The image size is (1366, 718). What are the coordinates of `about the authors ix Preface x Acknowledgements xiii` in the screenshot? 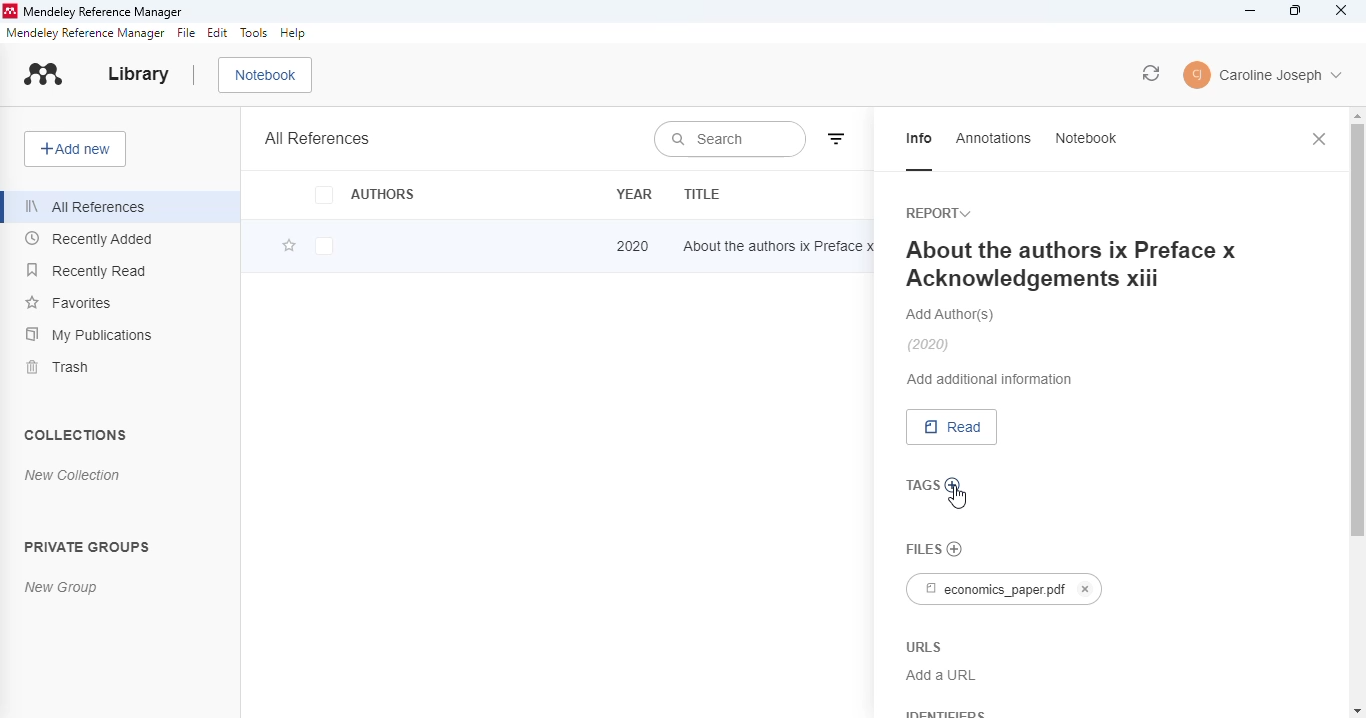 It's located at (782, 245).